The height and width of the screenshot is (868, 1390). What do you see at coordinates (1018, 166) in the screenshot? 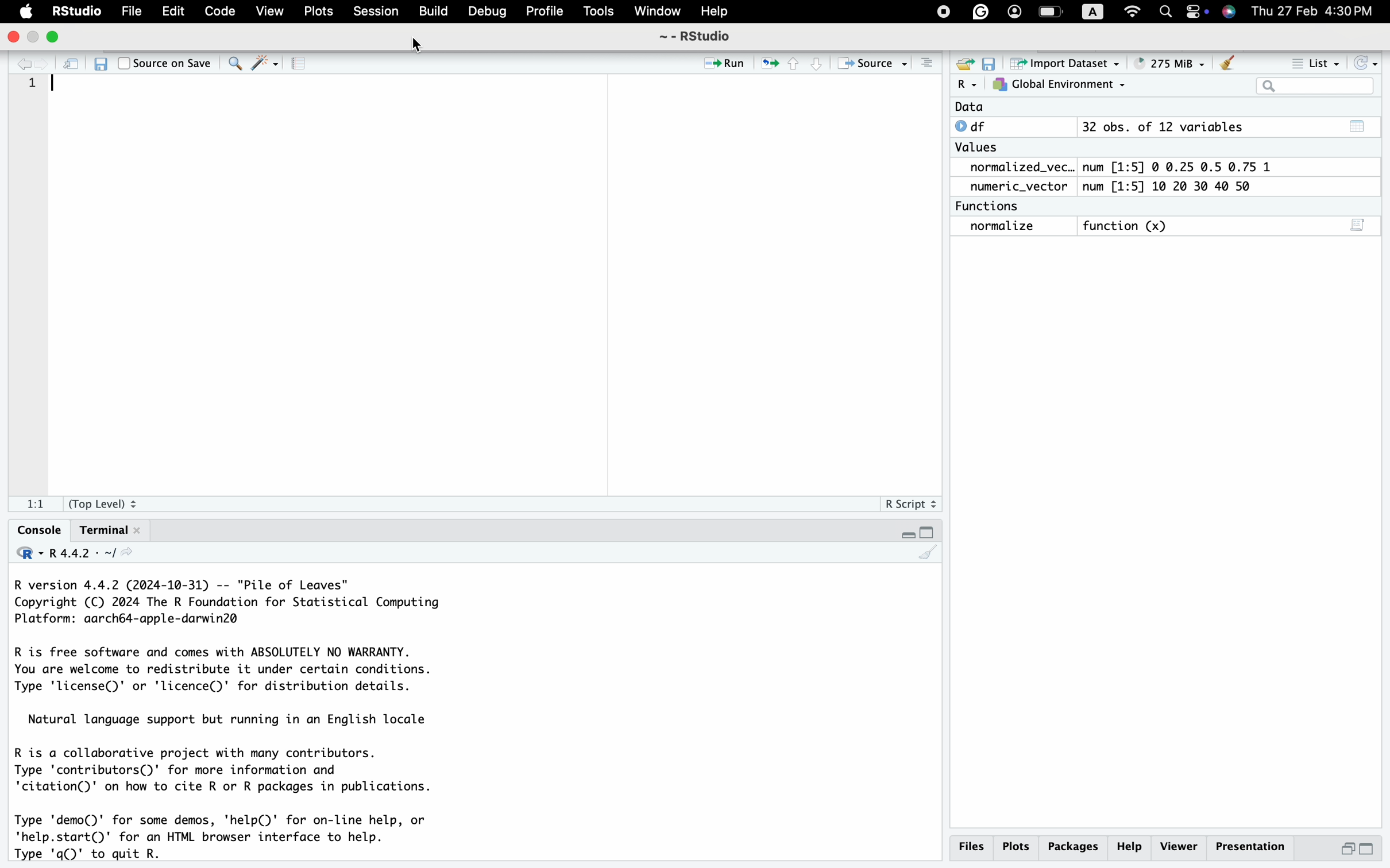
I see `normalized_vec..` at bounding box center [1018, 166].